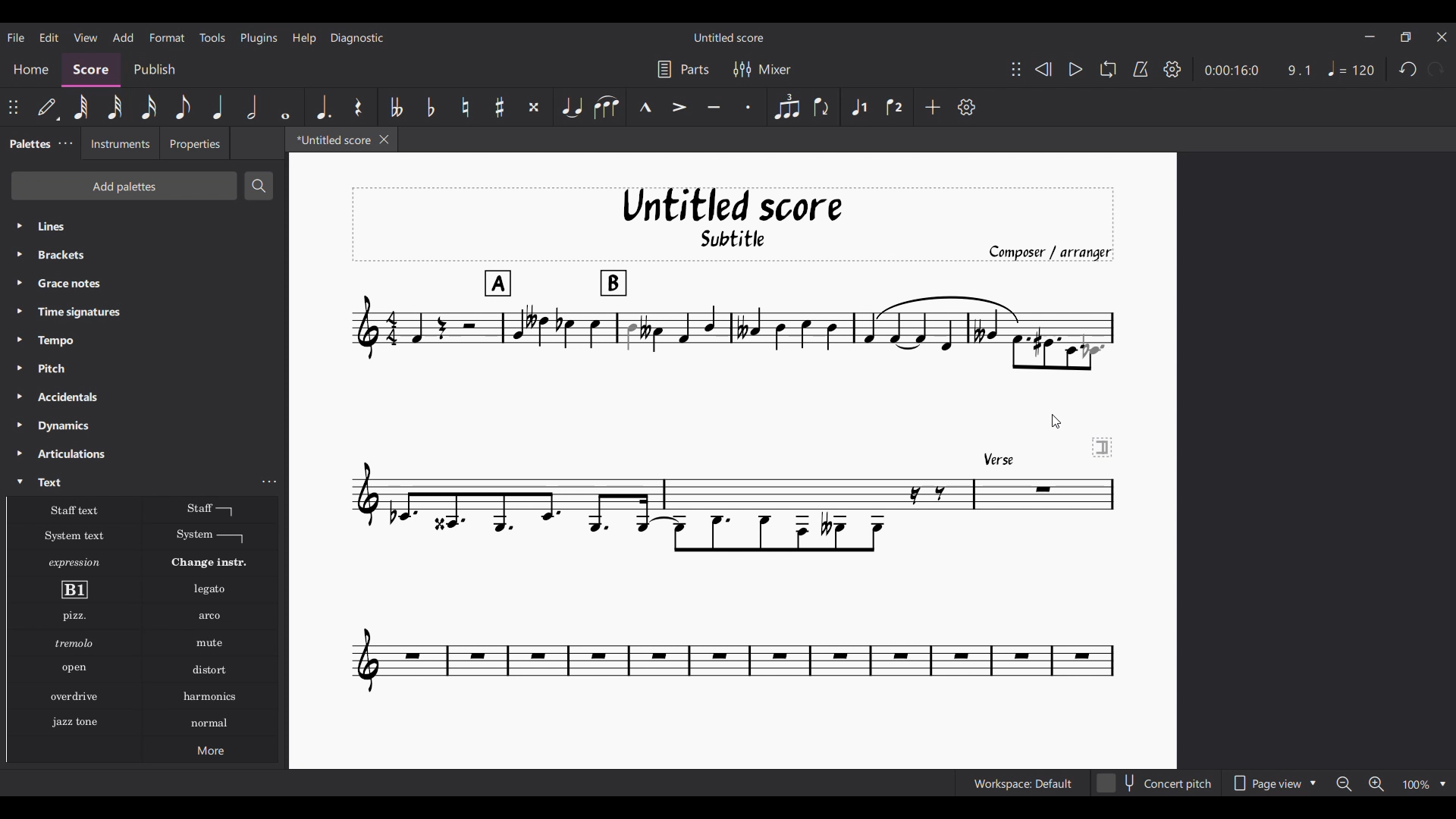  What do you see at coordinates (967, 107) in the screenshot?
I see `Customize settings` at bounding box center [967, 107].